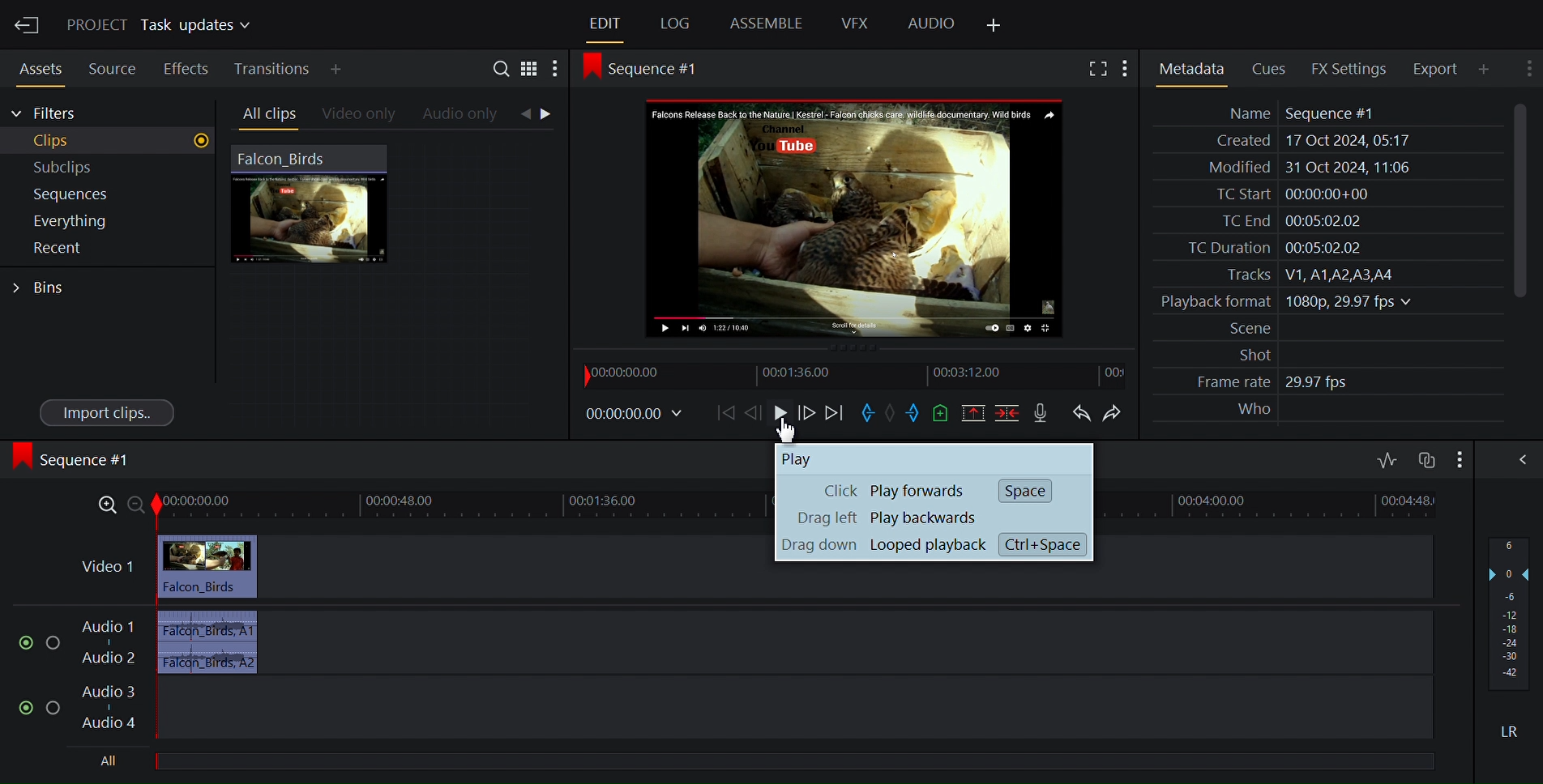  I want to click on Clips, so click(107, 141).